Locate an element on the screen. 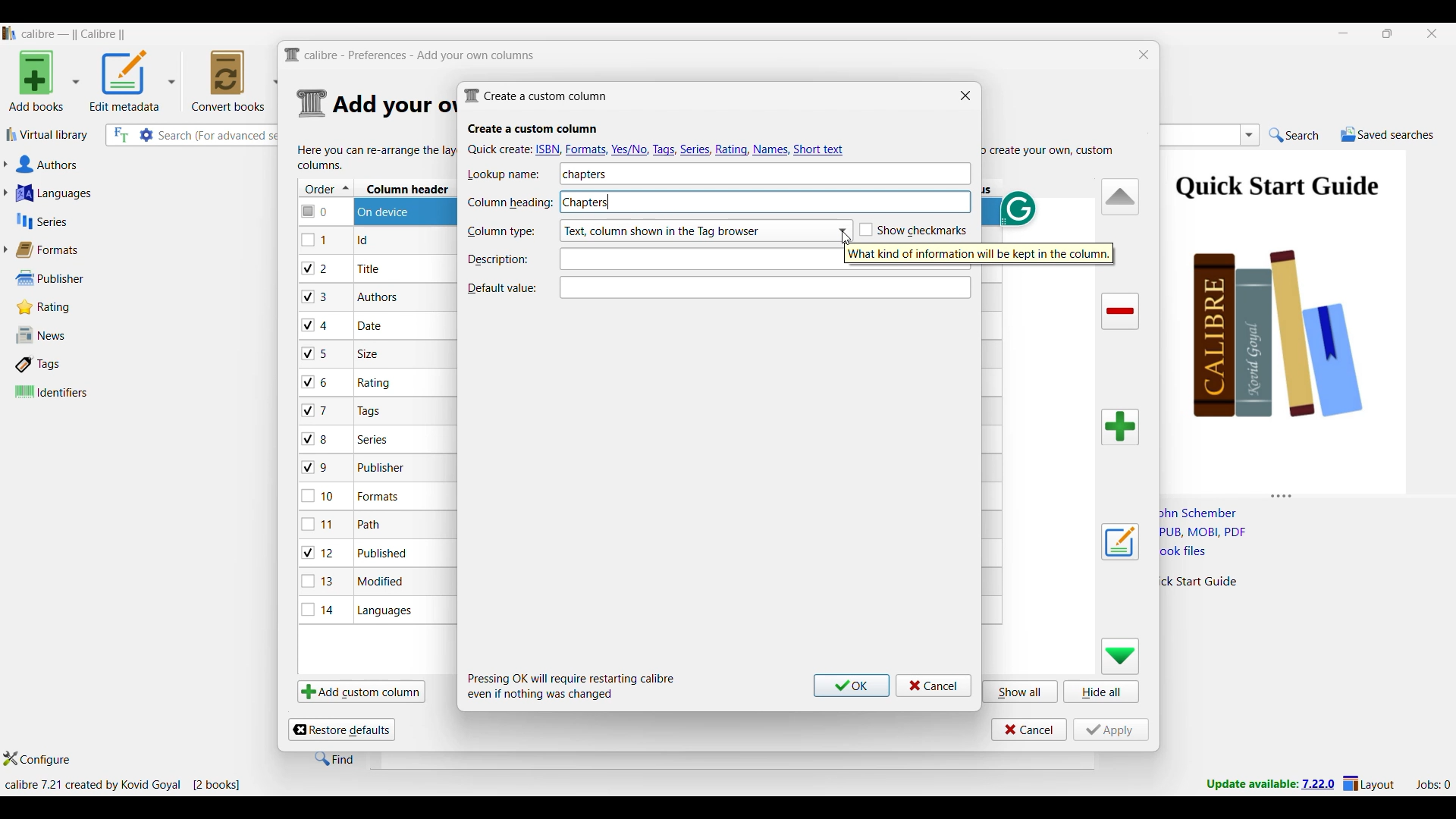 This screenshot has width=1456, height=819. Rating is located at coordinates (52, 307).